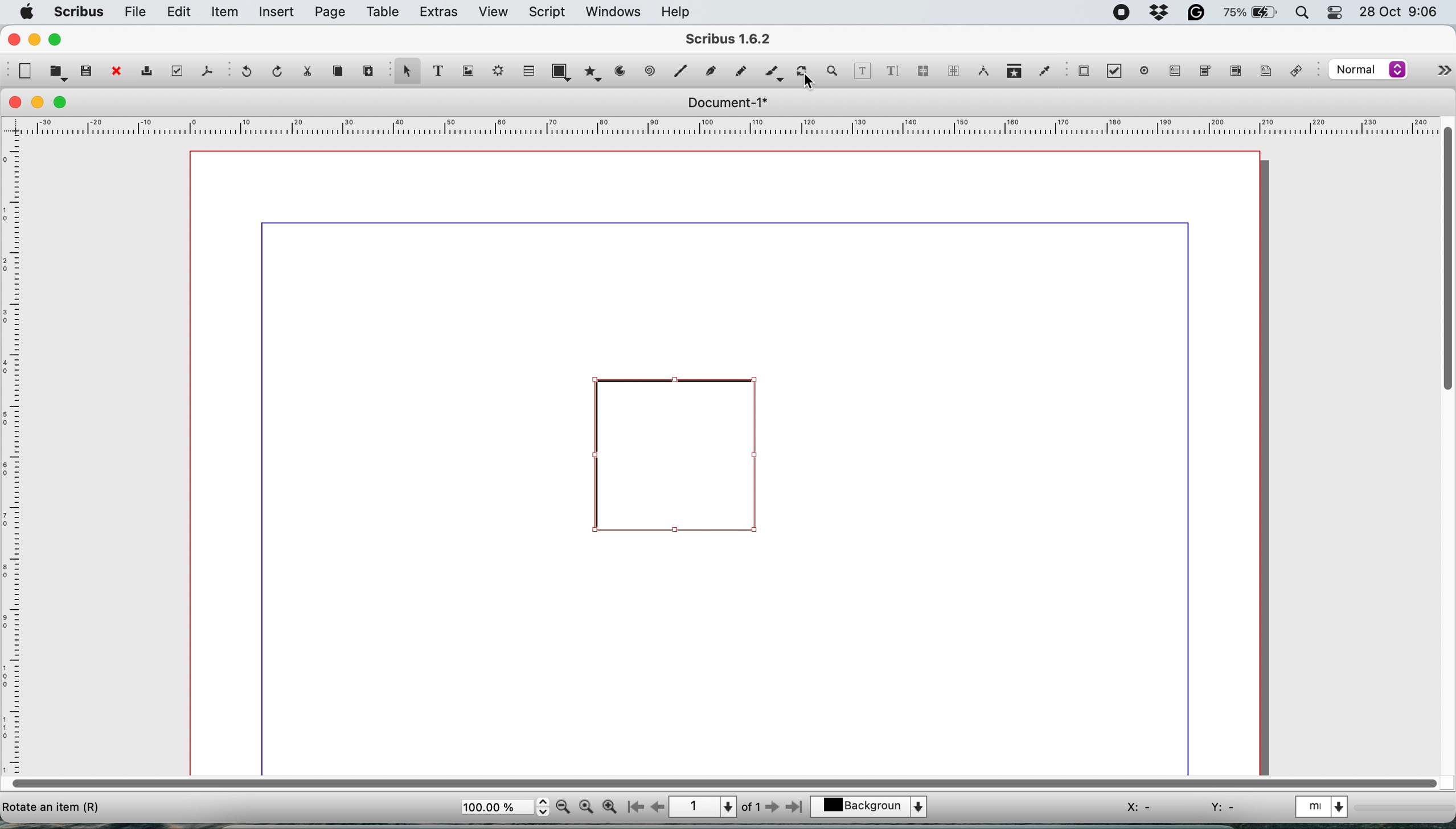 The width and height of the screenshot is (1456, 829). I want to click on edit contents of frame, so click(863, 71).